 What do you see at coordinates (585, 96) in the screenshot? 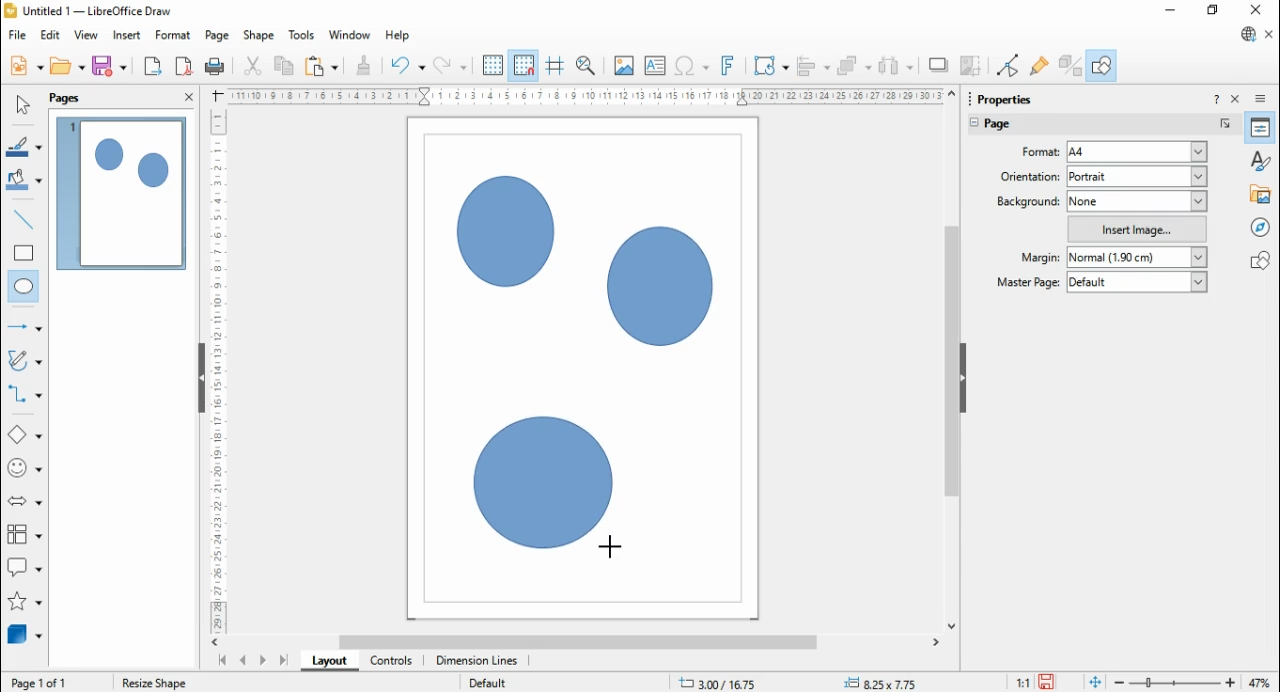
I see `Scale` at bounding box center [585, 96].